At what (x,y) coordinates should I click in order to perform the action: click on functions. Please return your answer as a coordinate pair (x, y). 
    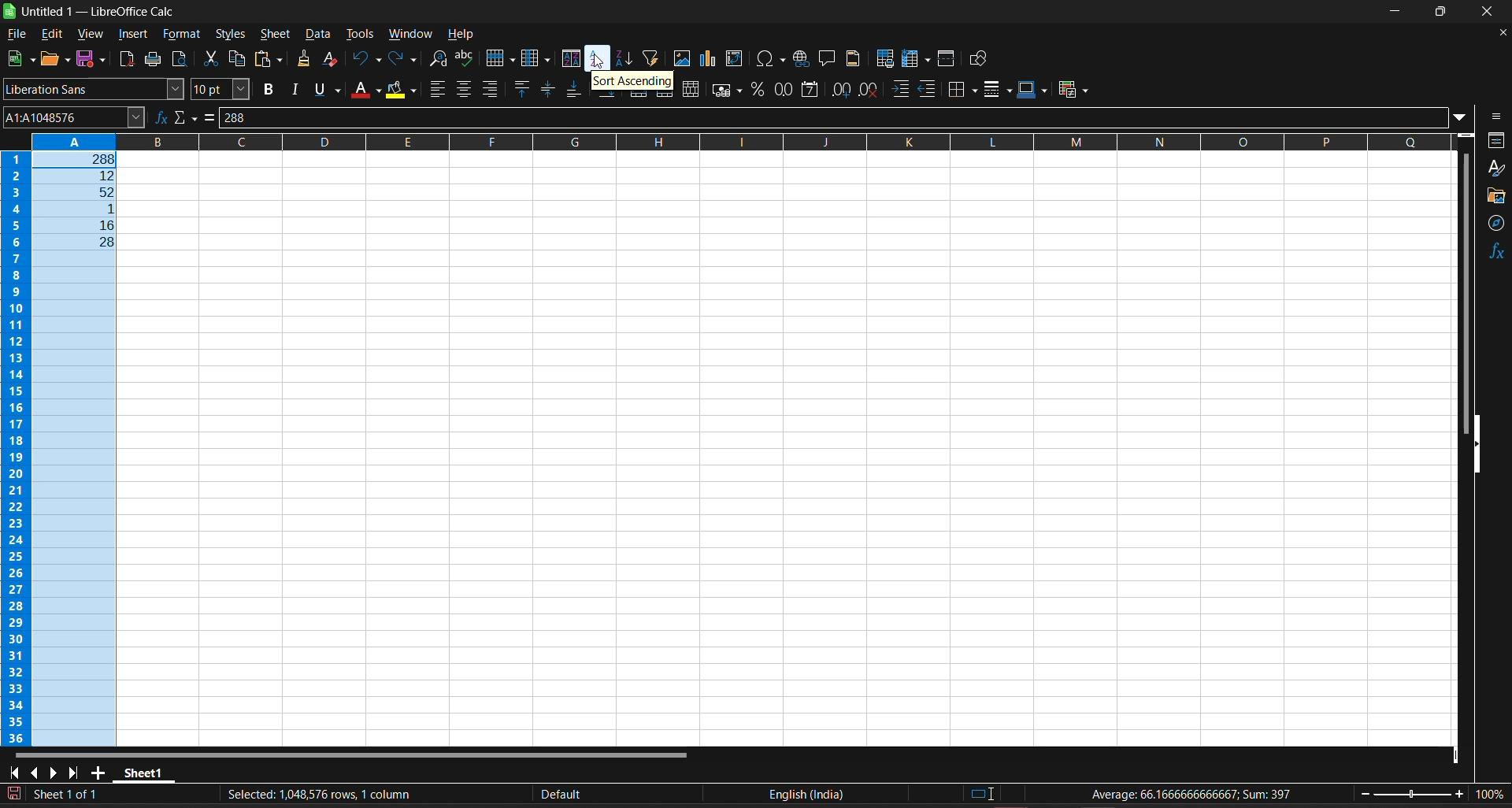
    Looking at the image, I should click on (1497, 253).